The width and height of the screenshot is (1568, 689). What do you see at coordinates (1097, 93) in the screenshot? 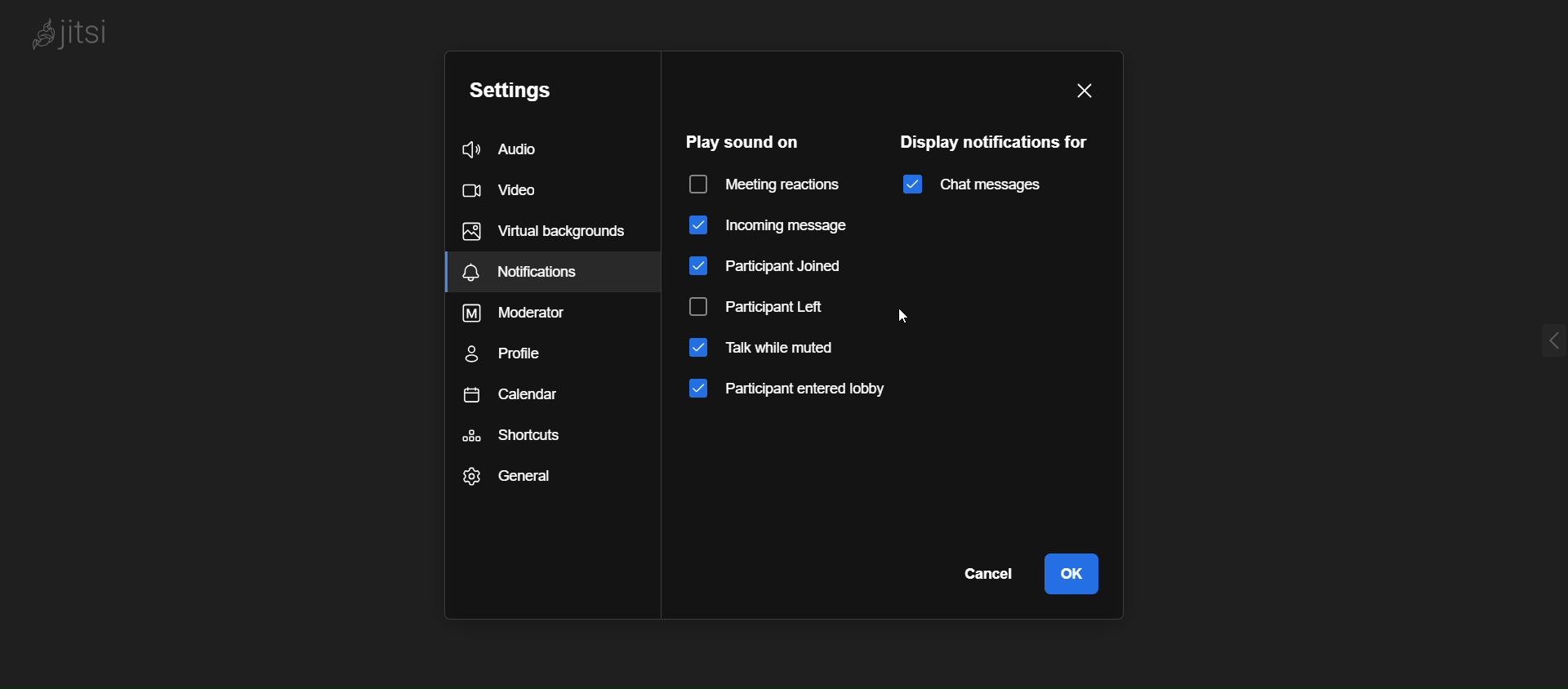
I see `close` at bounding box center [1097, 93].